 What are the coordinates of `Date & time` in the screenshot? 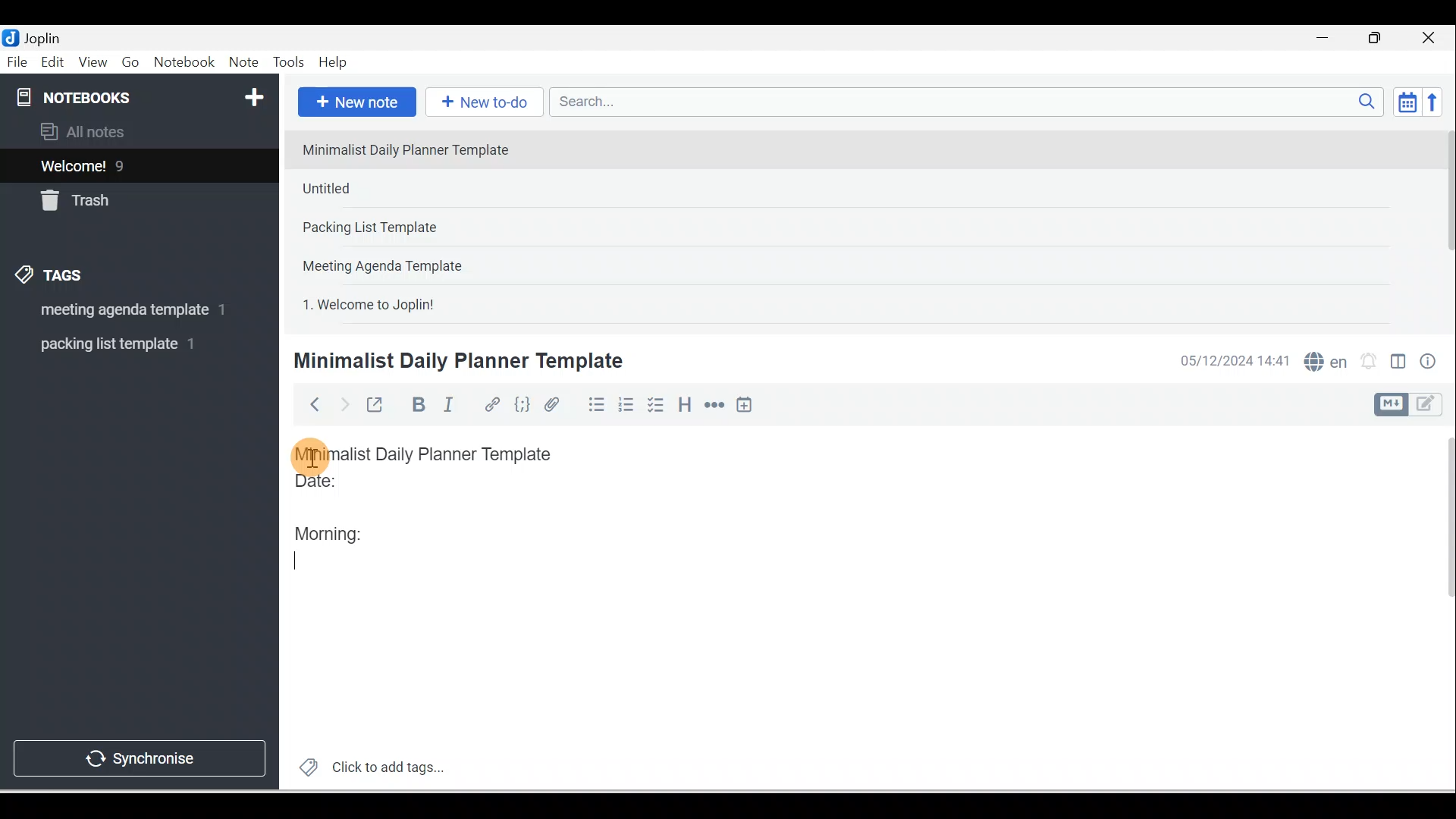 It's located at (1232, 361).